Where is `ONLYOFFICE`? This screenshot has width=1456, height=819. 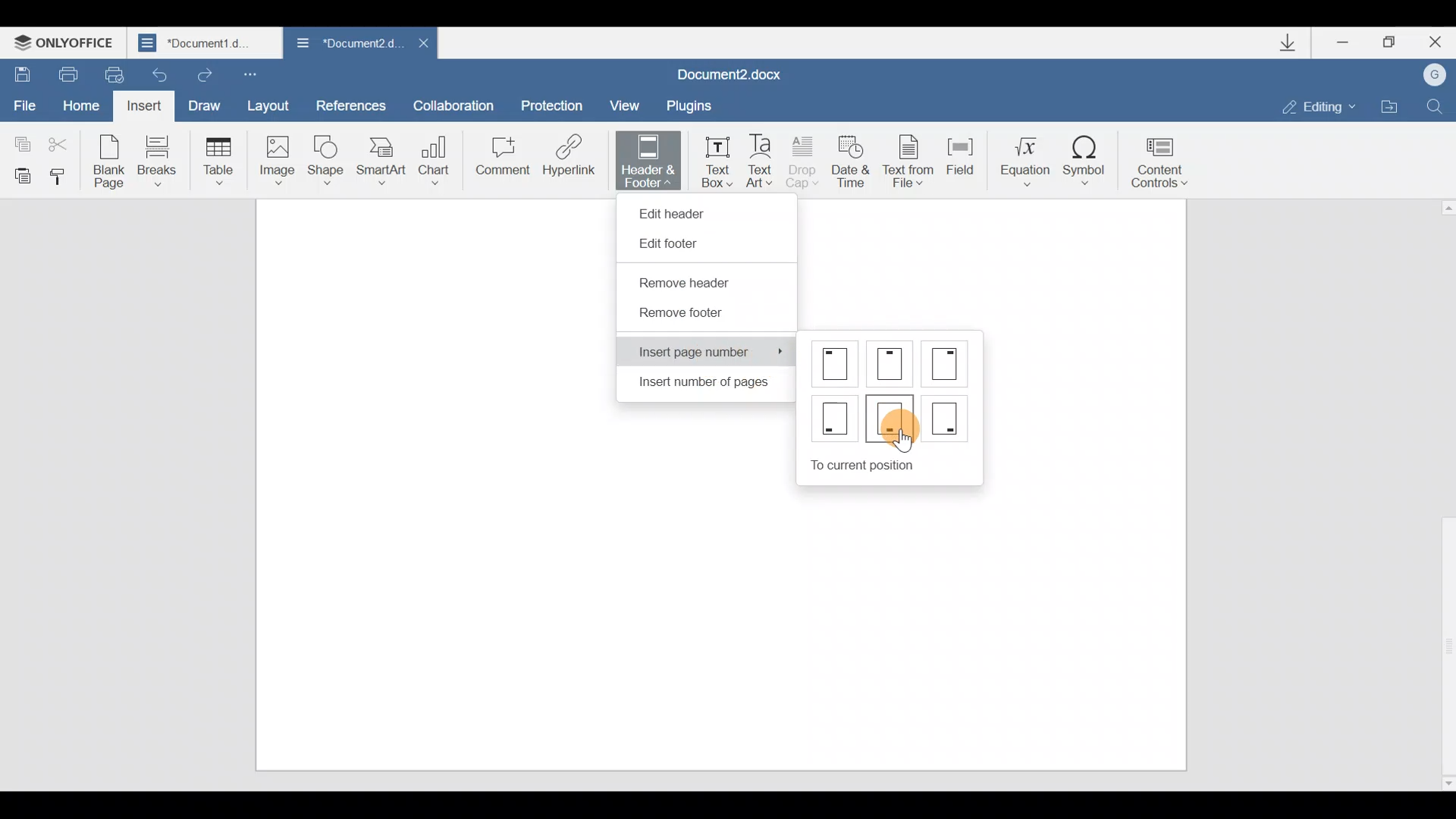
ONLYOFFICE is located at coordinates (68, 39).